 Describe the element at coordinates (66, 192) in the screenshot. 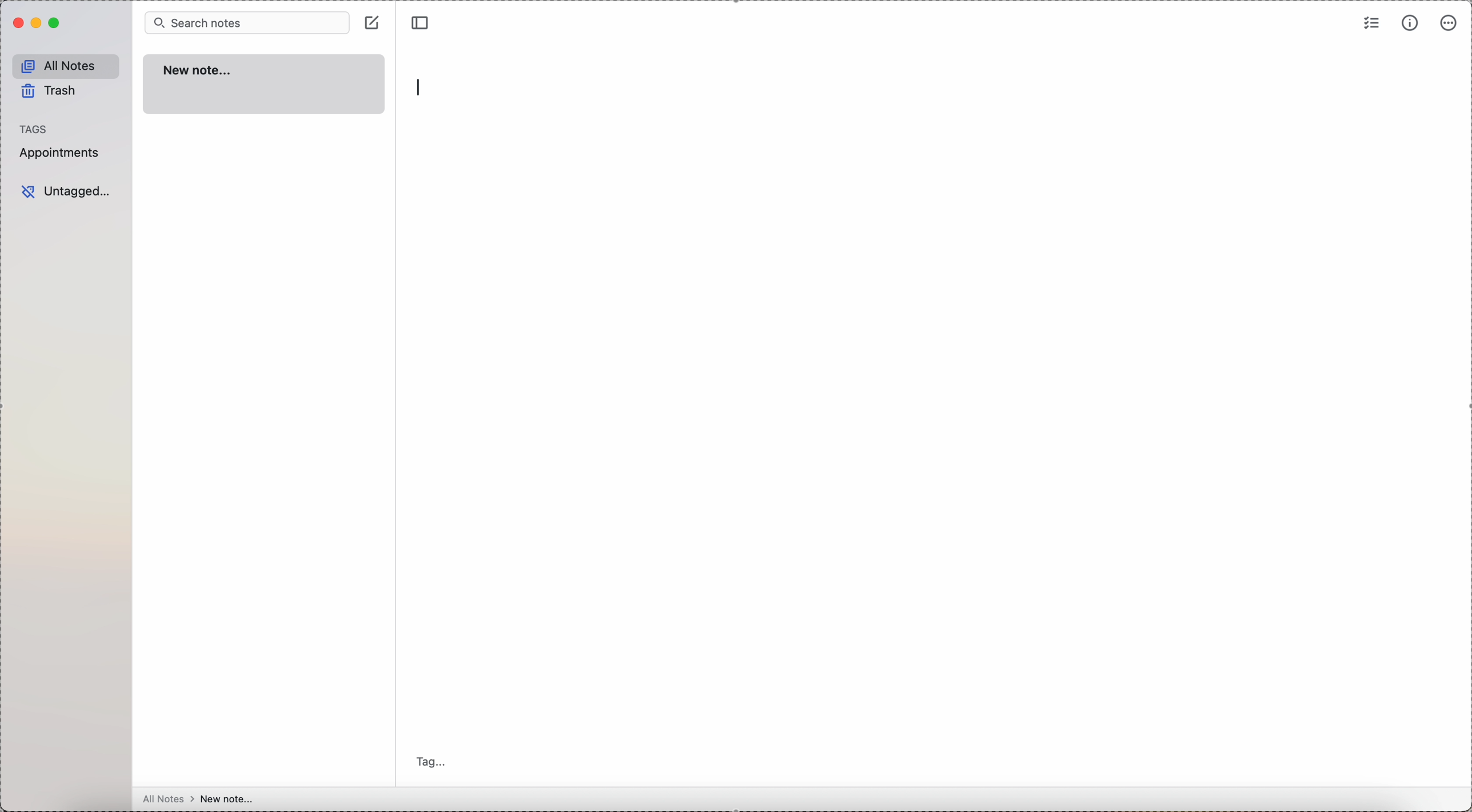

I see `untagged` at that location.